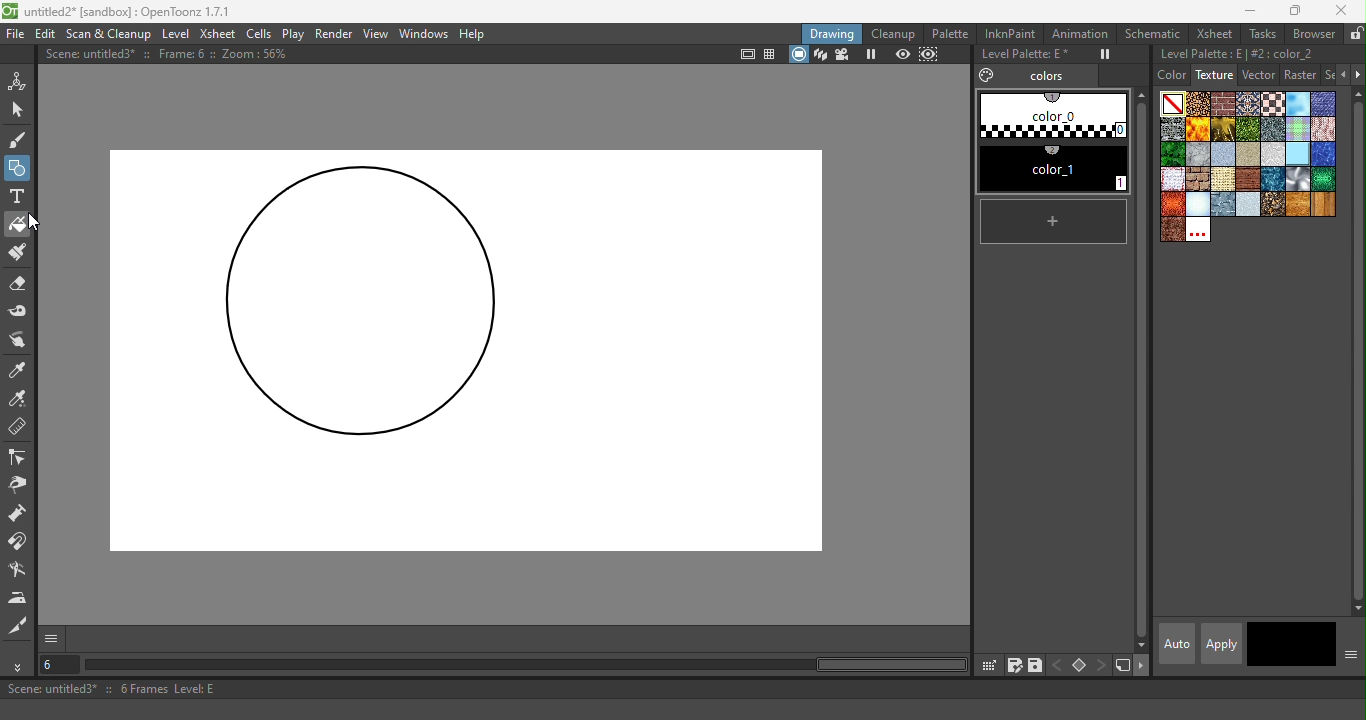 Image resolution: width=1366 pixels, height=720 pixels. Describe the element at coordinates (19, 428) in the screenshot. I see `Ruler tool` at that location.